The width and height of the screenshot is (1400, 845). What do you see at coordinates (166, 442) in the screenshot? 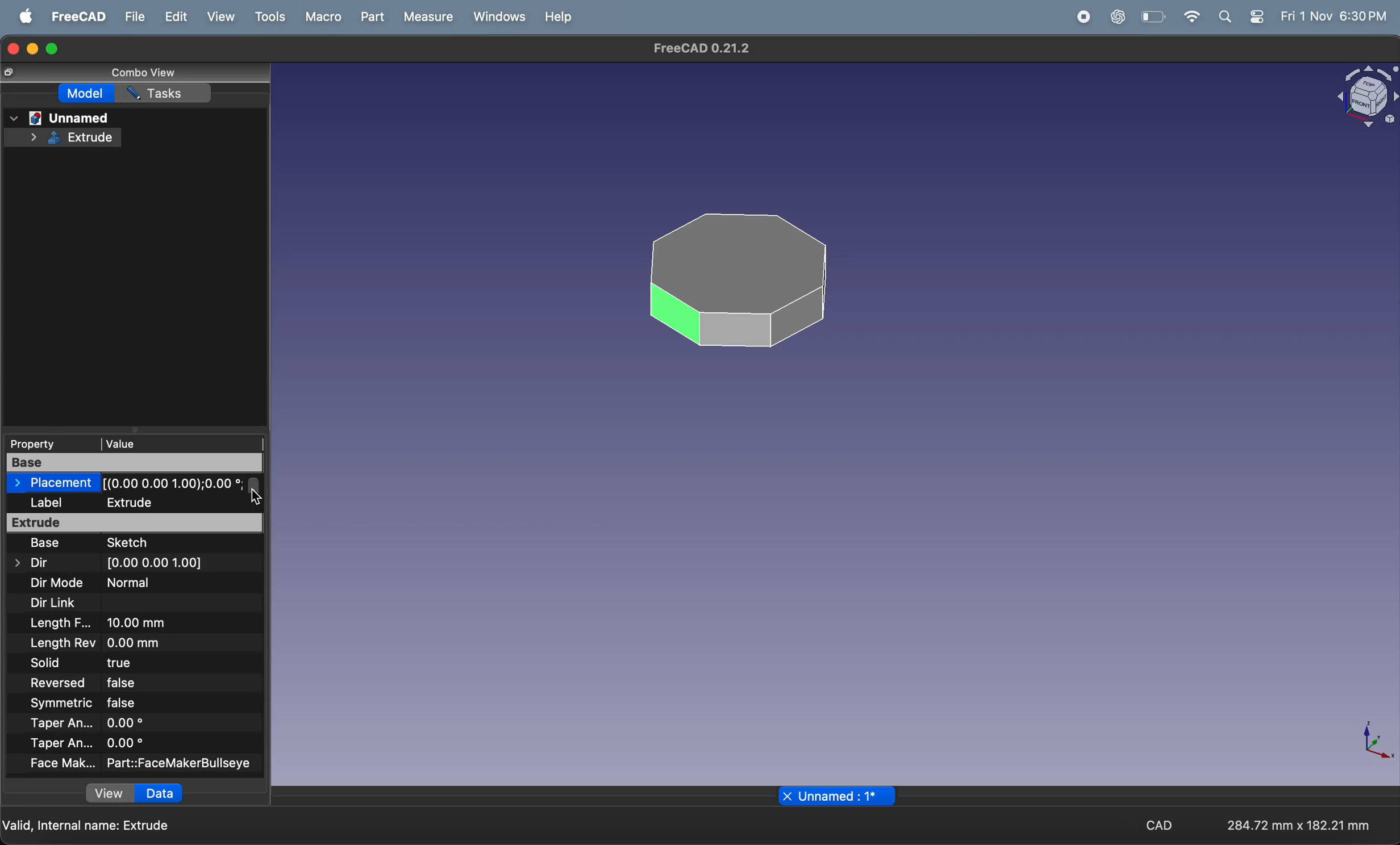
I see `value` at bounding box center [166, 442].